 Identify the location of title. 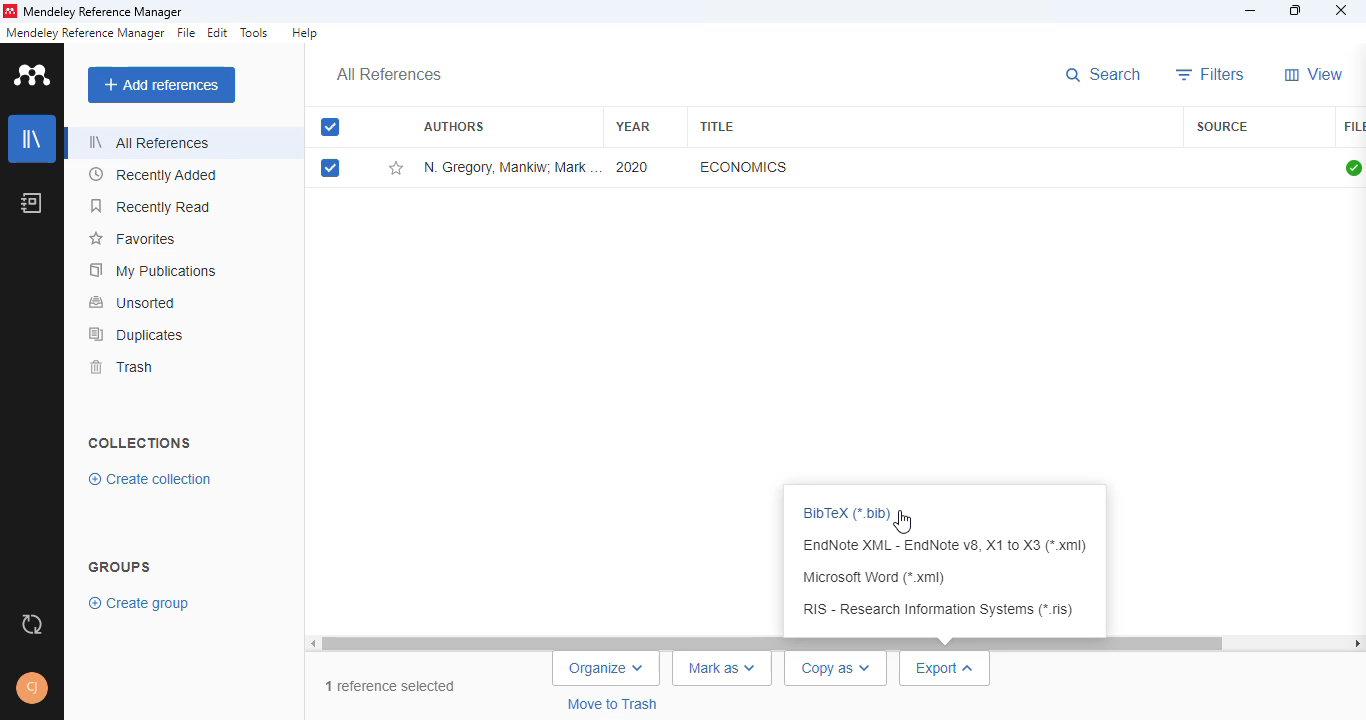
(715, 126).